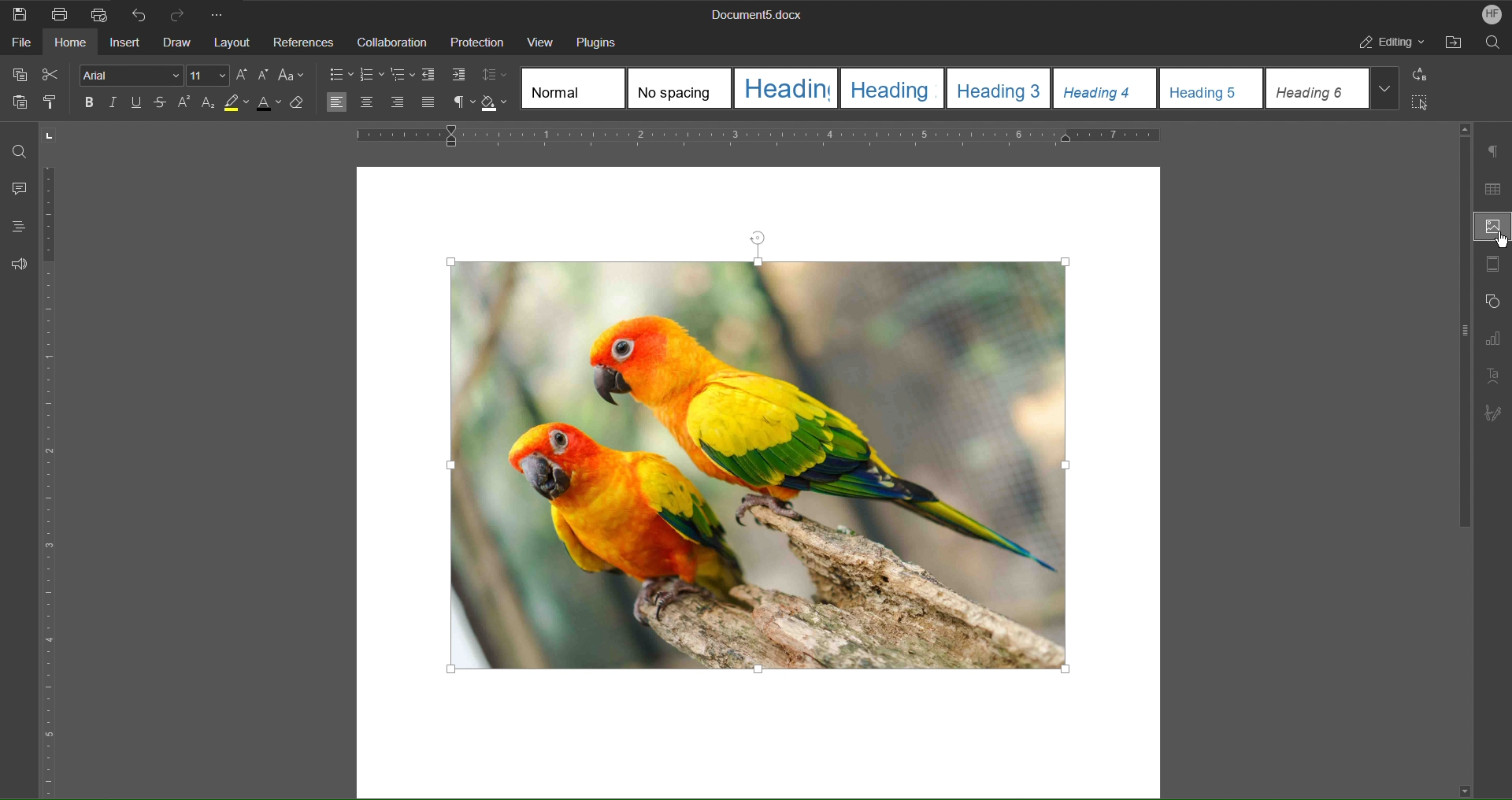 This screenshot has width=1512, height=800. I want to click on Replace, so click(1425, 76).